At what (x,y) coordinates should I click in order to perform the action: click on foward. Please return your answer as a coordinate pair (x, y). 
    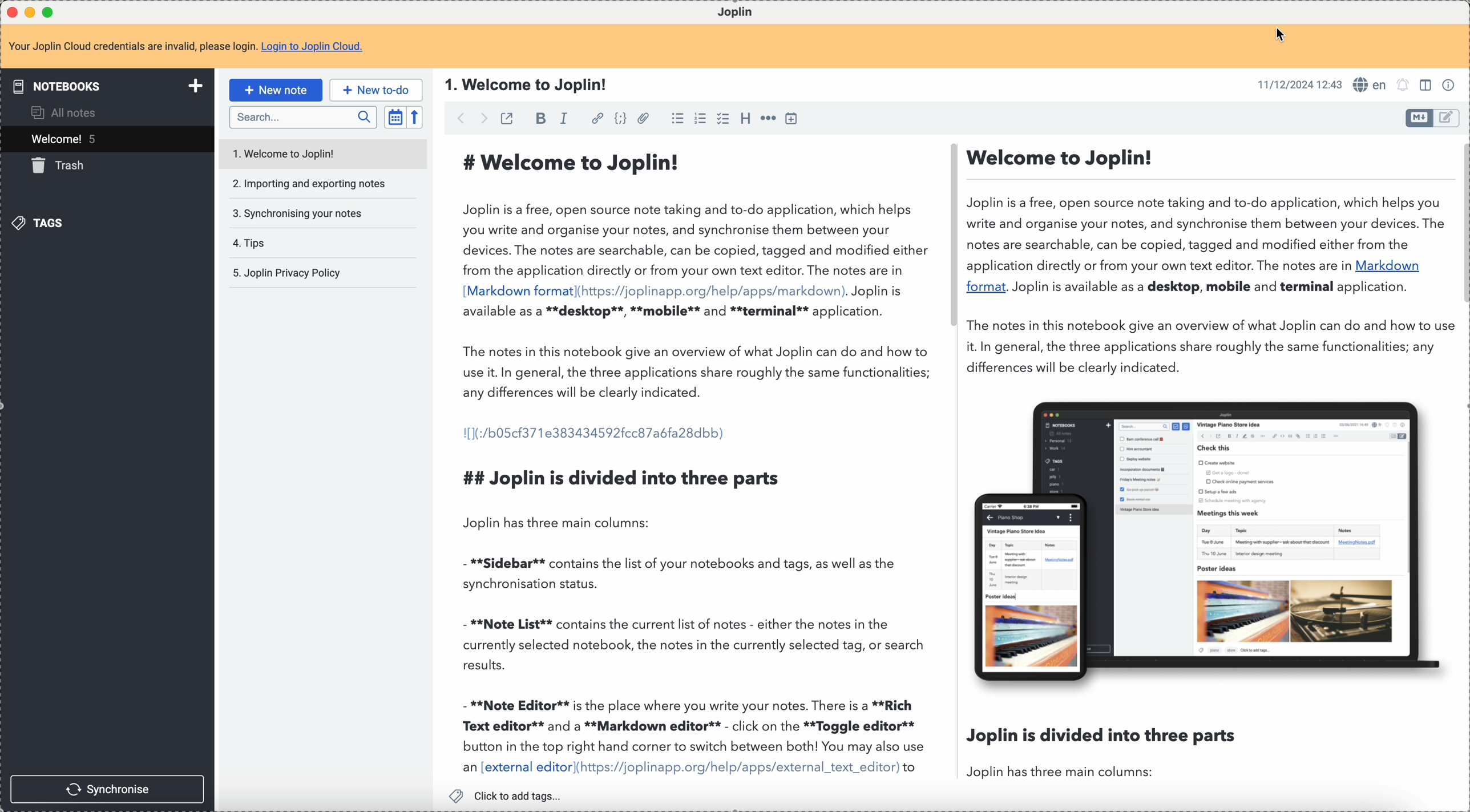
    Looking at the image, I should click on (486, 119).